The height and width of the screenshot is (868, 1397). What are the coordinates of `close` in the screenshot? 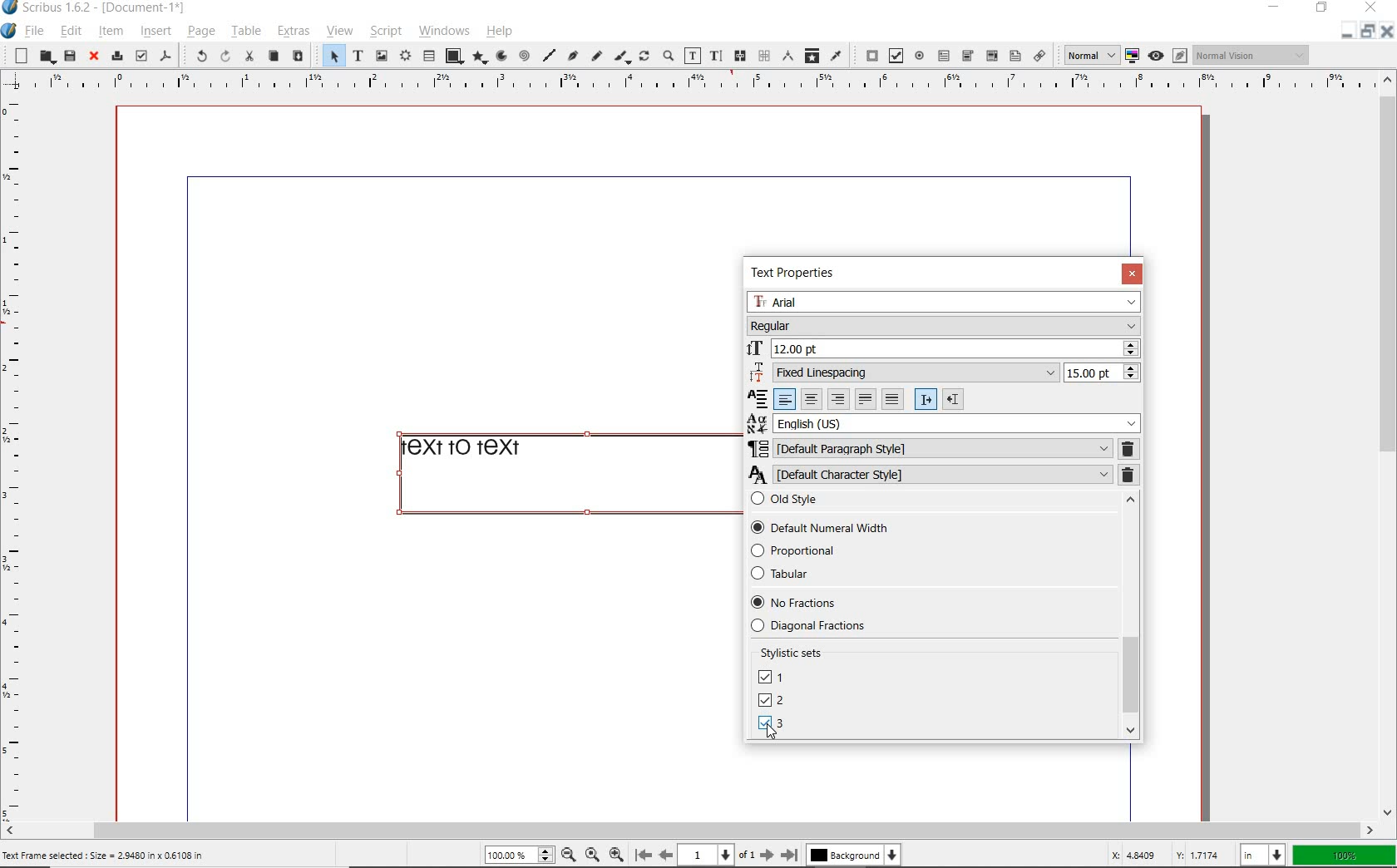 It's located at (91, 57).